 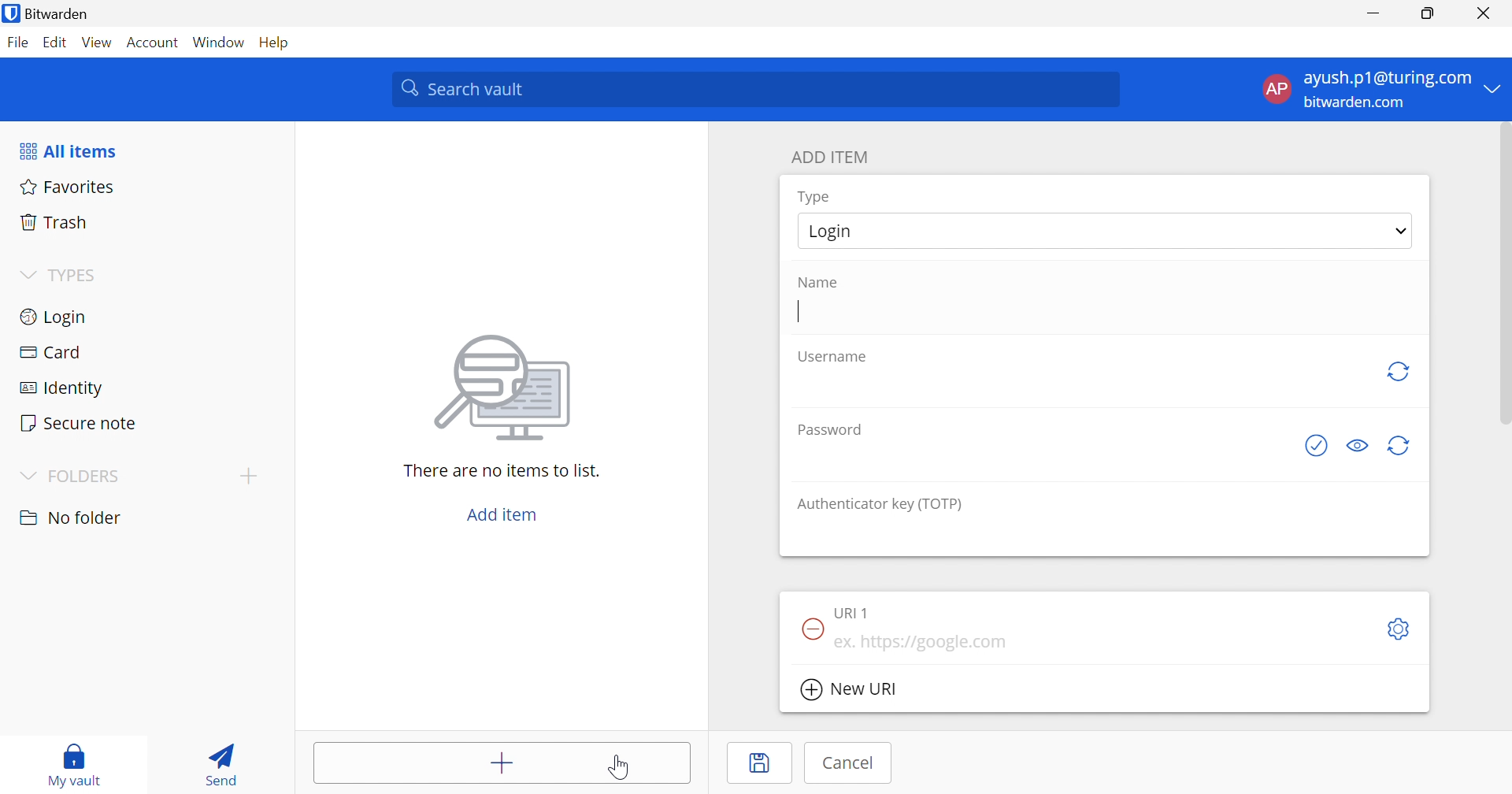 I want to click on New URI, so click(x=851, y=692).